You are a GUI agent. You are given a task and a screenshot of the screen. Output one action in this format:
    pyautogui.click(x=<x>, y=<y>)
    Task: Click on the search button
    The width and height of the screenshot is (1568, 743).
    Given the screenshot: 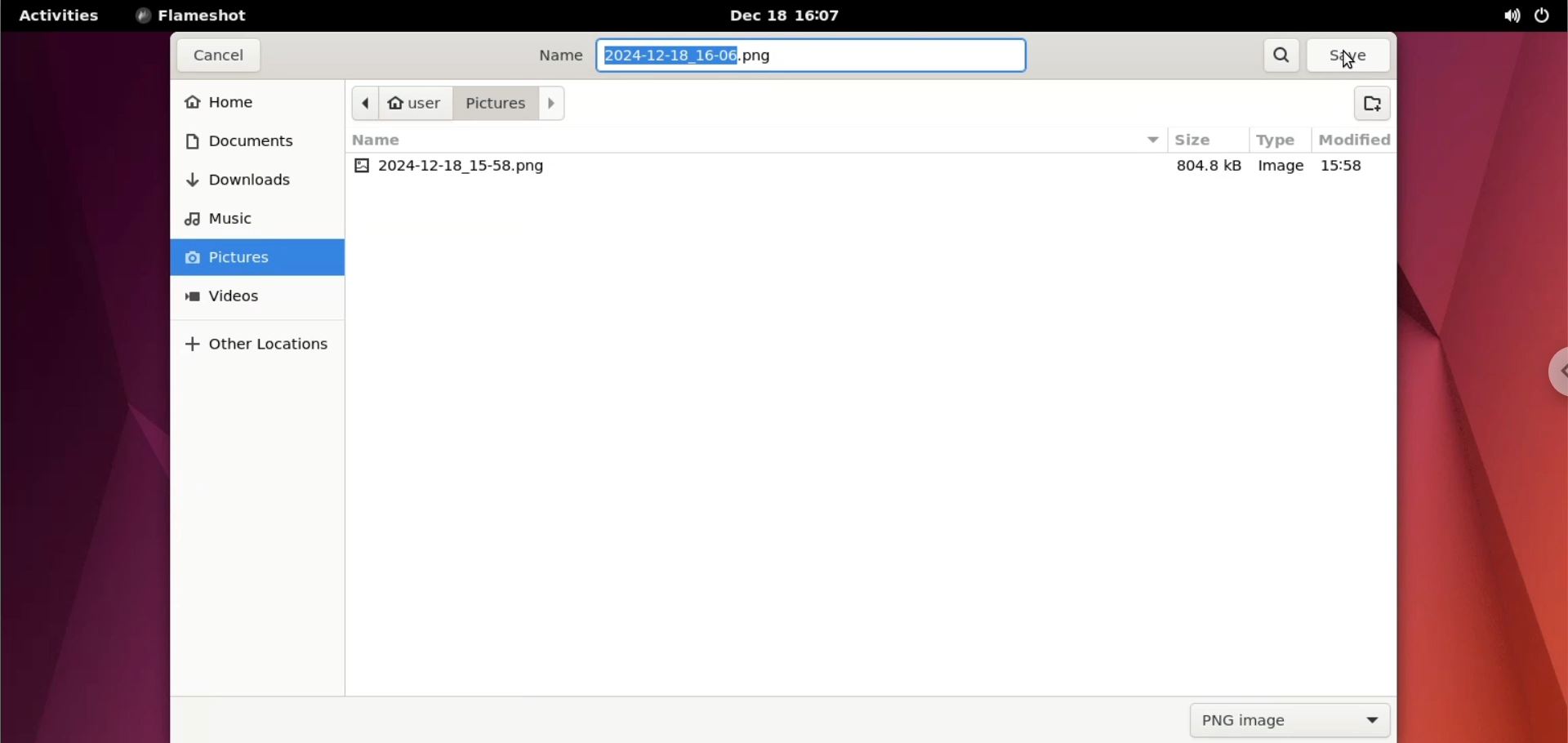 What is the action you would take?
    pyautogui.click(x=1281, y=57)
    